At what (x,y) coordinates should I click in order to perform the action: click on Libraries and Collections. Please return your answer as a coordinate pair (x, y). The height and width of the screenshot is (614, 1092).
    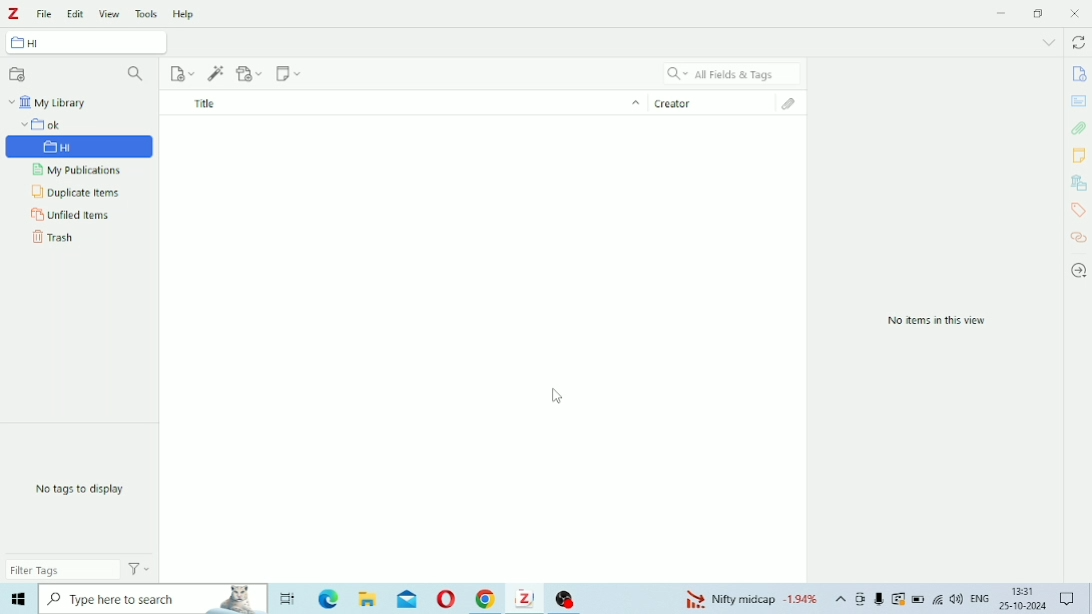
    Looking at the image, I should click on (1077, 183).